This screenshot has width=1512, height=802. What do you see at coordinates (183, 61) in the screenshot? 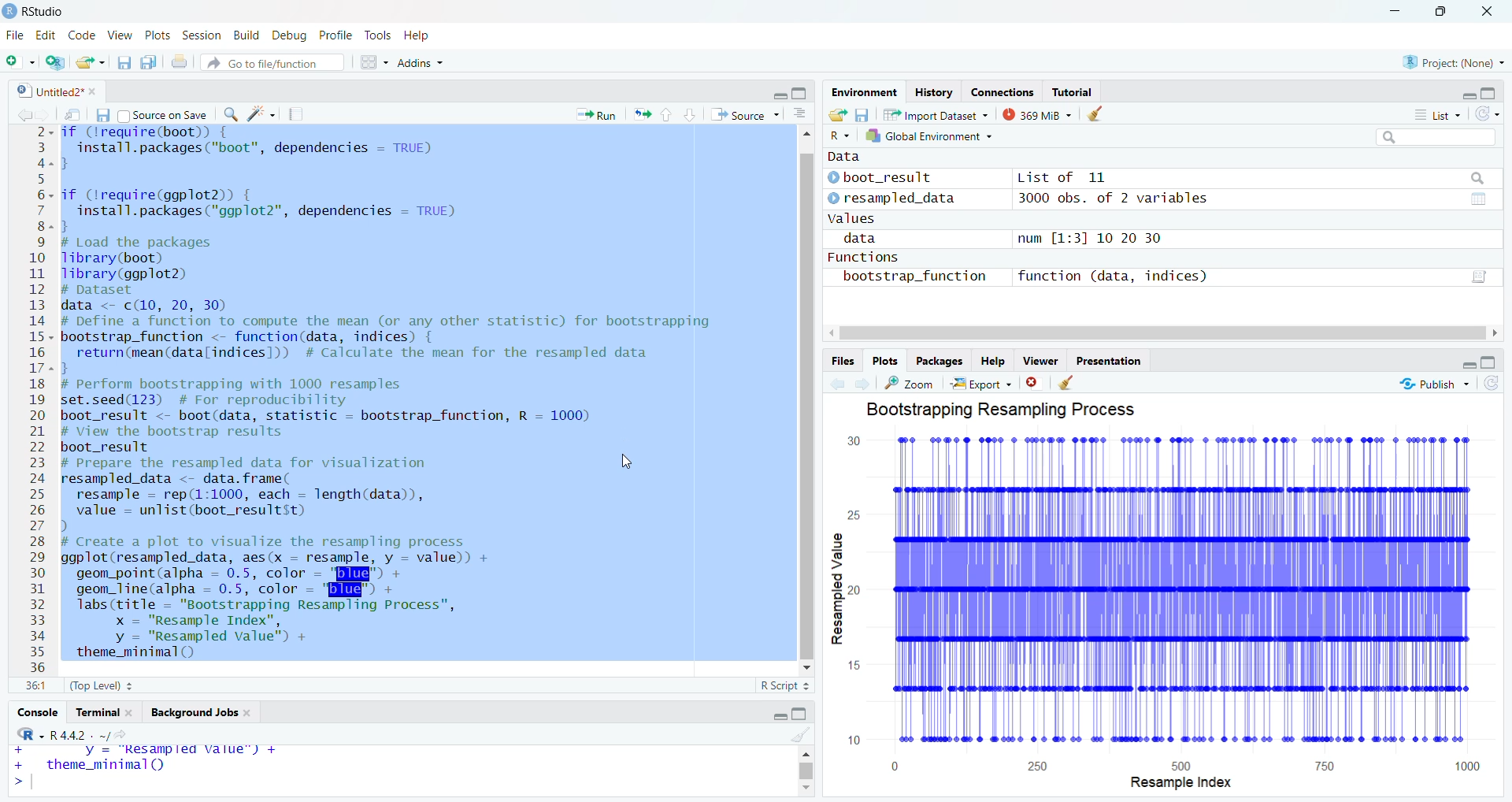
I see `print the current file` at bounding box center [183, 61].